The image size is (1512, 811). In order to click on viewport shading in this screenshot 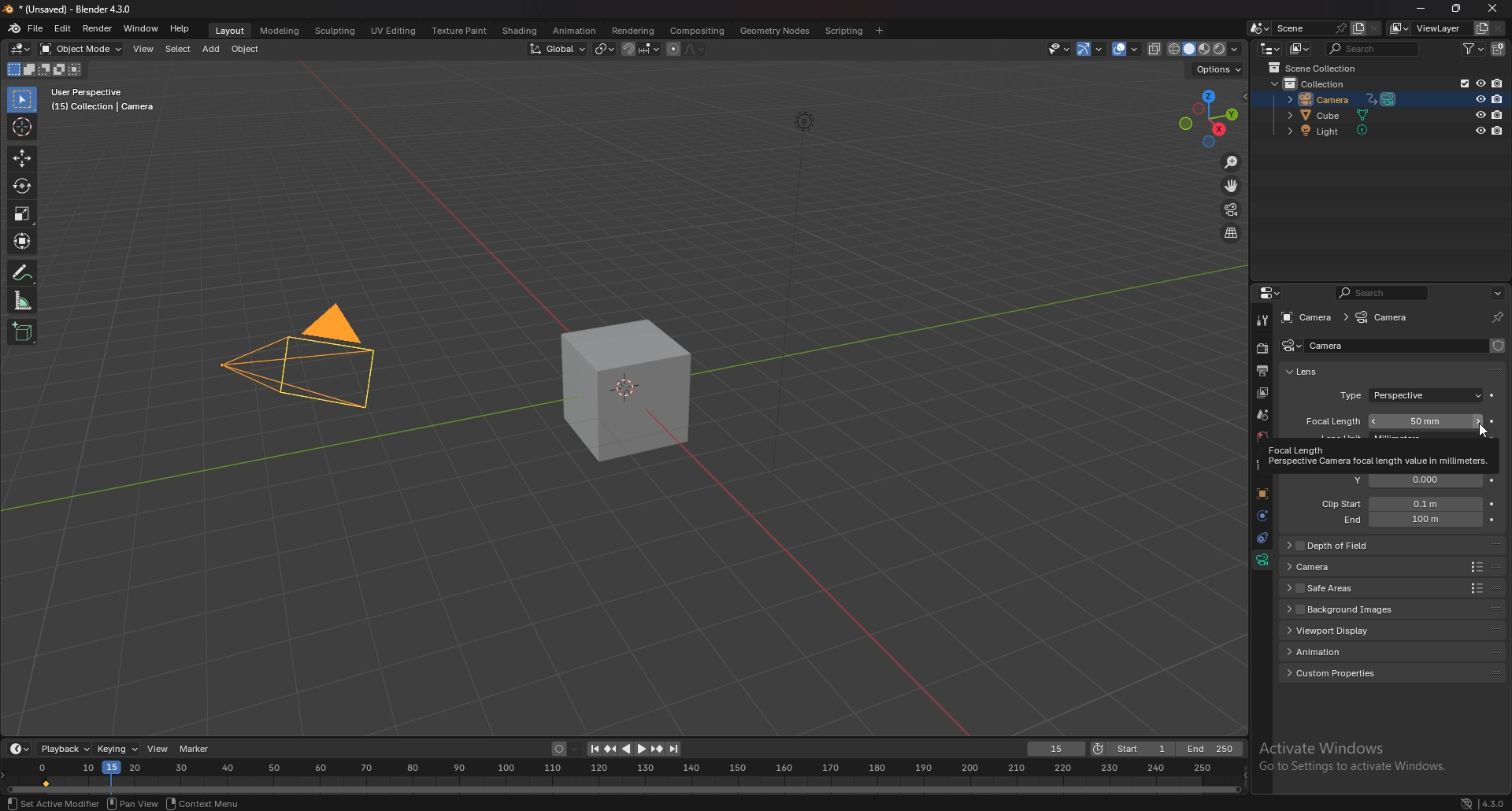, I will do `click(1205, 50)`.